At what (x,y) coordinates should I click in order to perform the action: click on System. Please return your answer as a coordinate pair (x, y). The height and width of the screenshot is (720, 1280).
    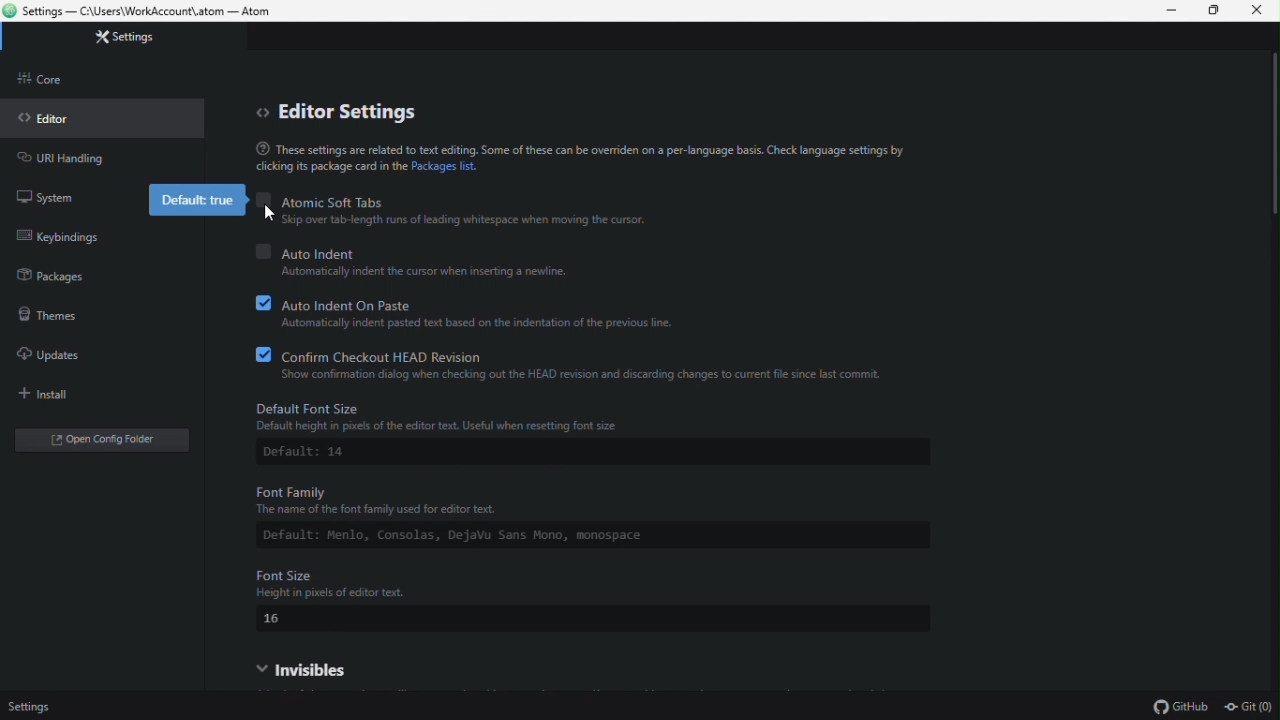
    Looking at the image, I should click on (50, 201).